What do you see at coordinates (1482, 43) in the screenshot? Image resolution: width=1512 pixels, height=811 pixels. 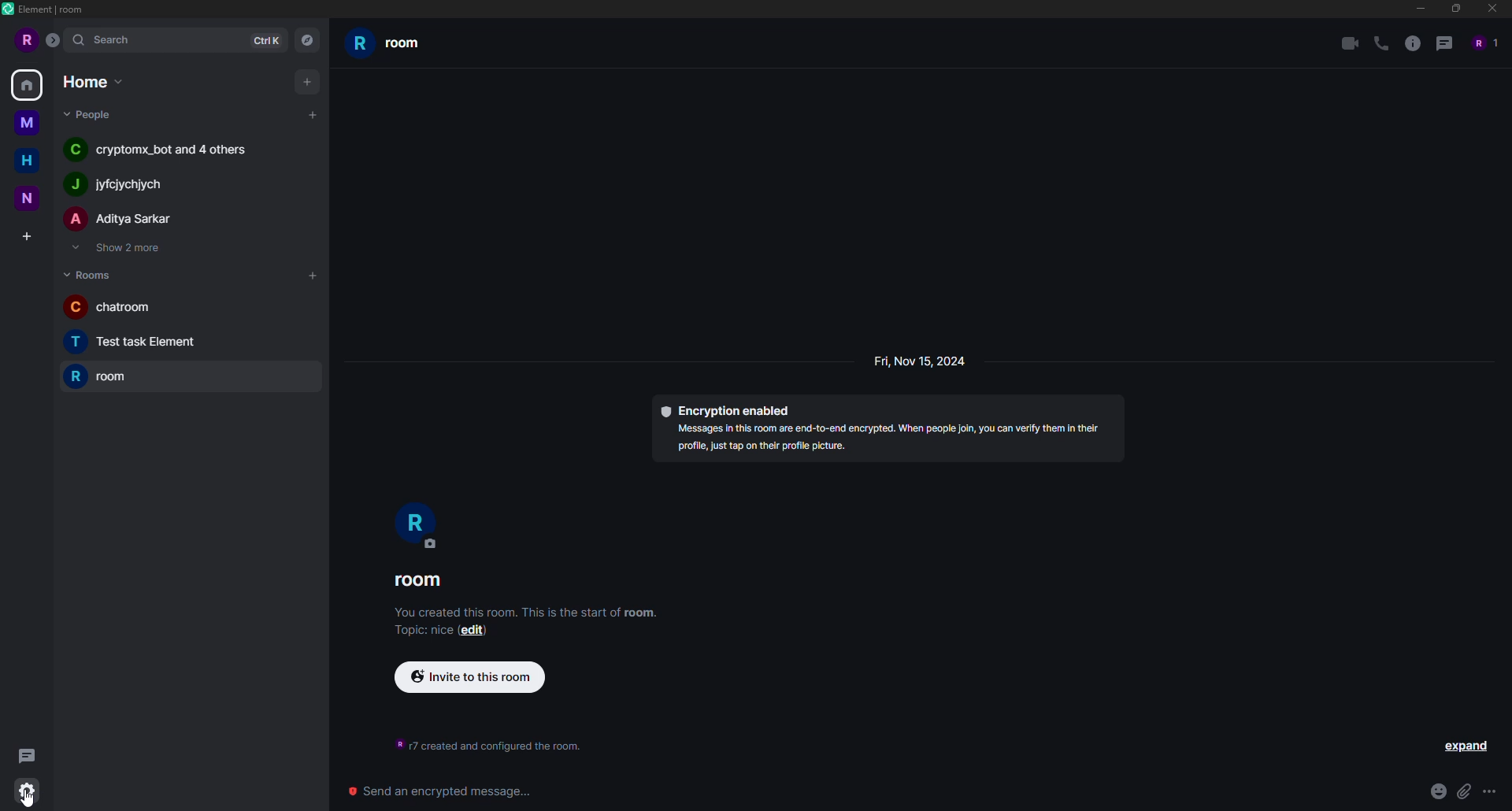 I see `people` at bounding box center [1482, 43].